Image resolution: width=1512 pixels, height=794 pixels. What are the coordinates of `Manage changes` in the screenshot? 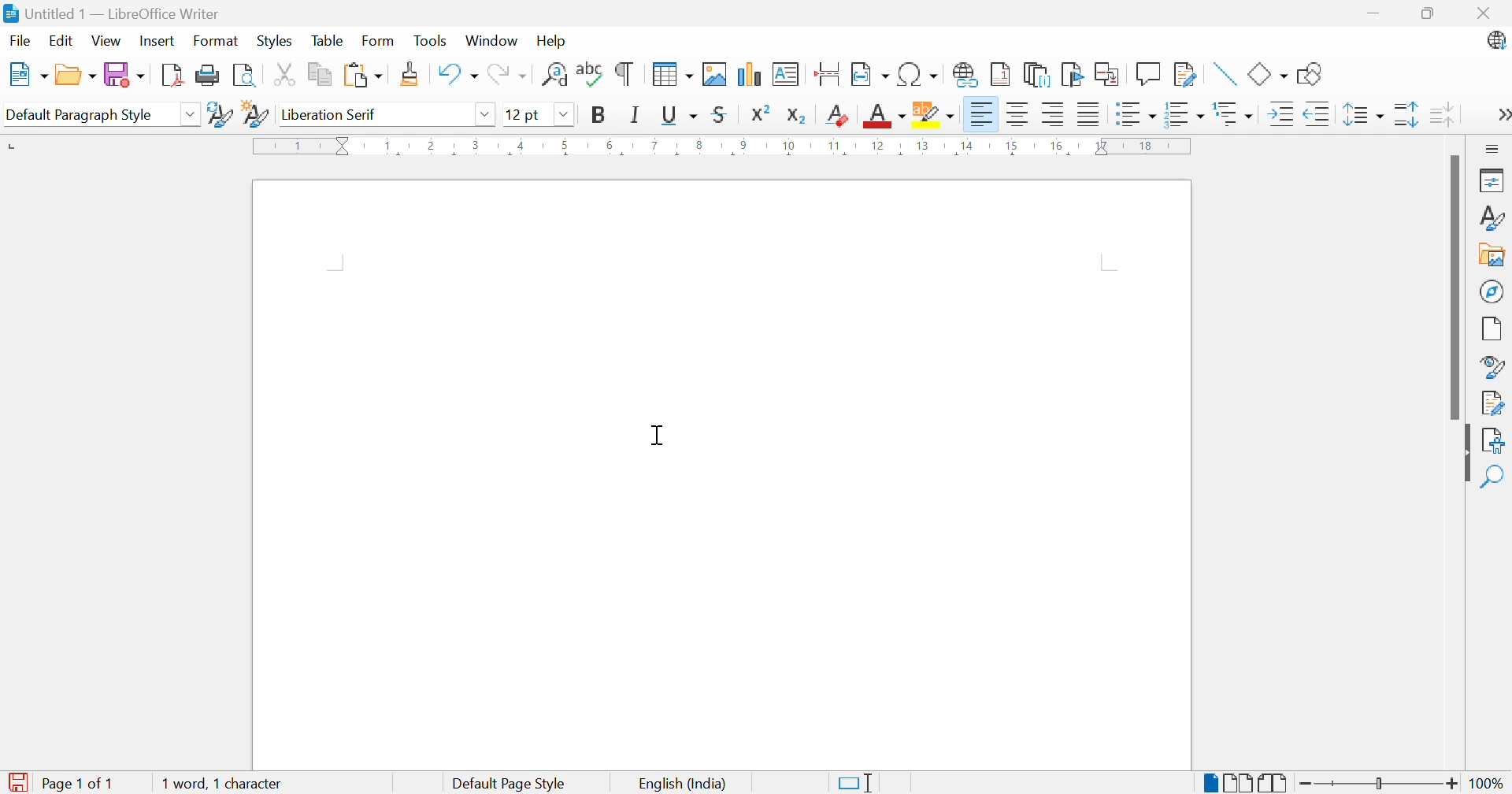 It's located at (1494, 404).